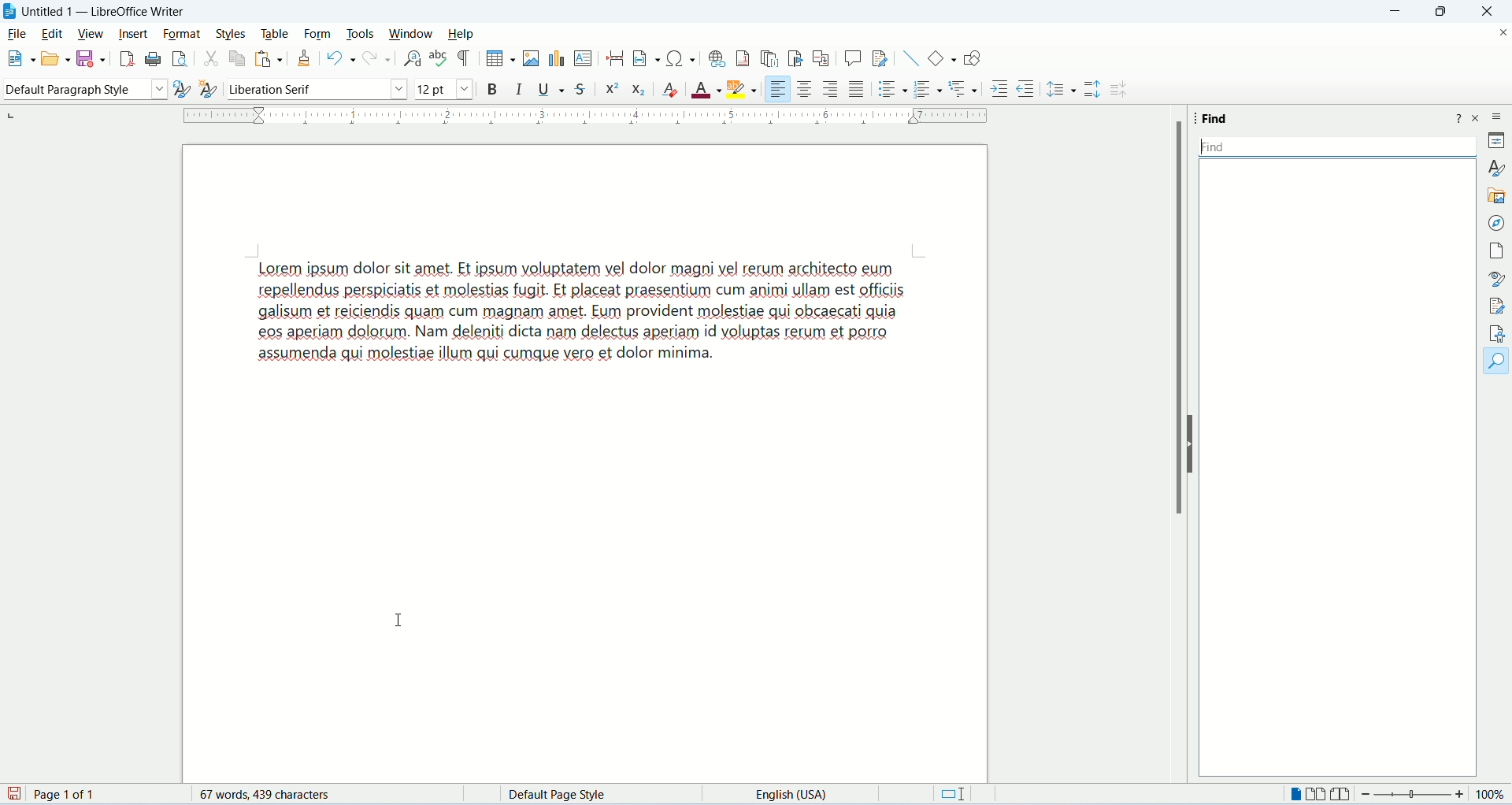 This screenshot has height=805, width=1512. Describe the element at coordinates (1433, 793) in the screenshot. I see `zoom factor` at that location.